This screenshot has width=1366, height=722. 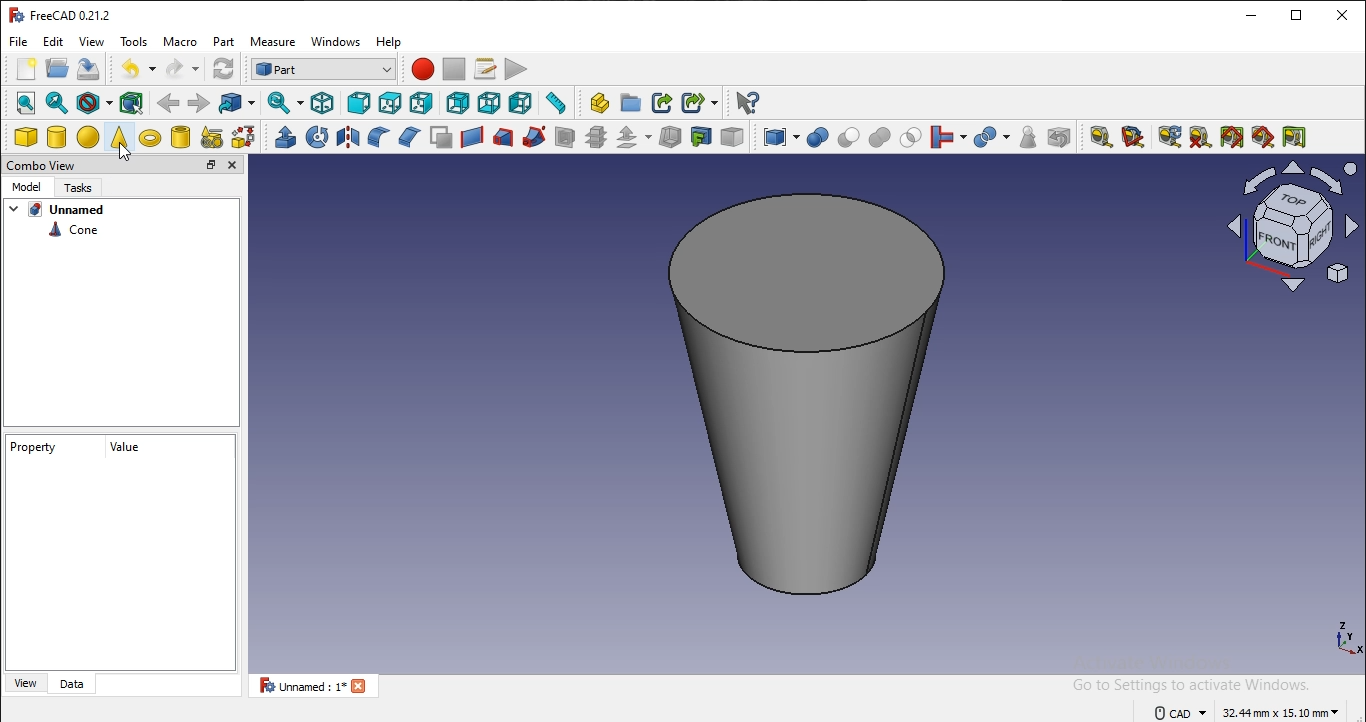 What do you see at coordinates (1060, 136) in the screenshot?
I see `defeaturing` at bounding box center [1060, 136].